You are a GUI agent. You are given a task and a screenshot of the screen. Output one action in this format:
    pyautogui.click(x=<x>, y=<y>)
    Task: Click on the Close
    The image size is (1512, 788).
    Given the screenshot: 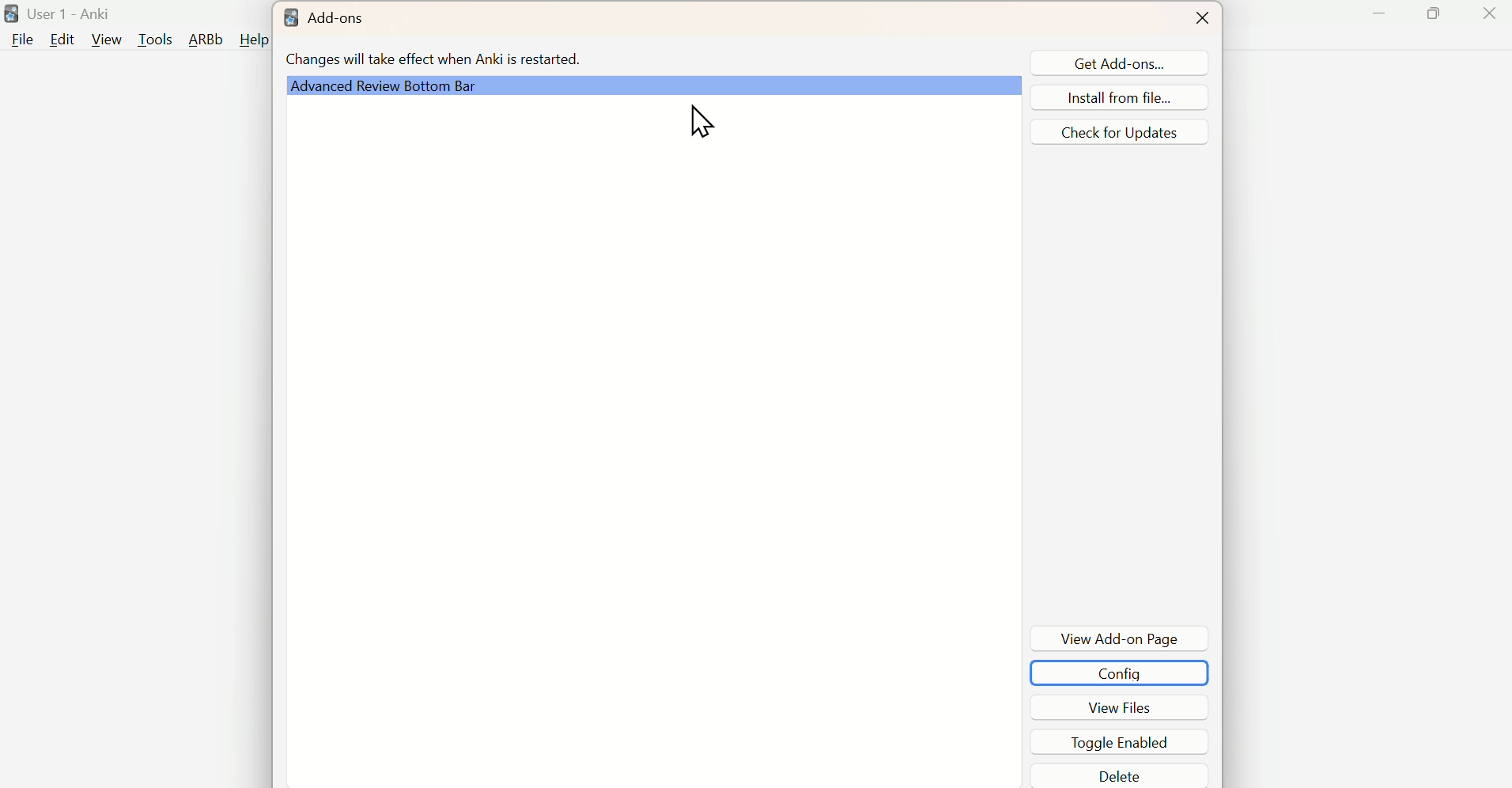 What is the action you would take?
    pyautogui.click(x=1495, y=13)
    